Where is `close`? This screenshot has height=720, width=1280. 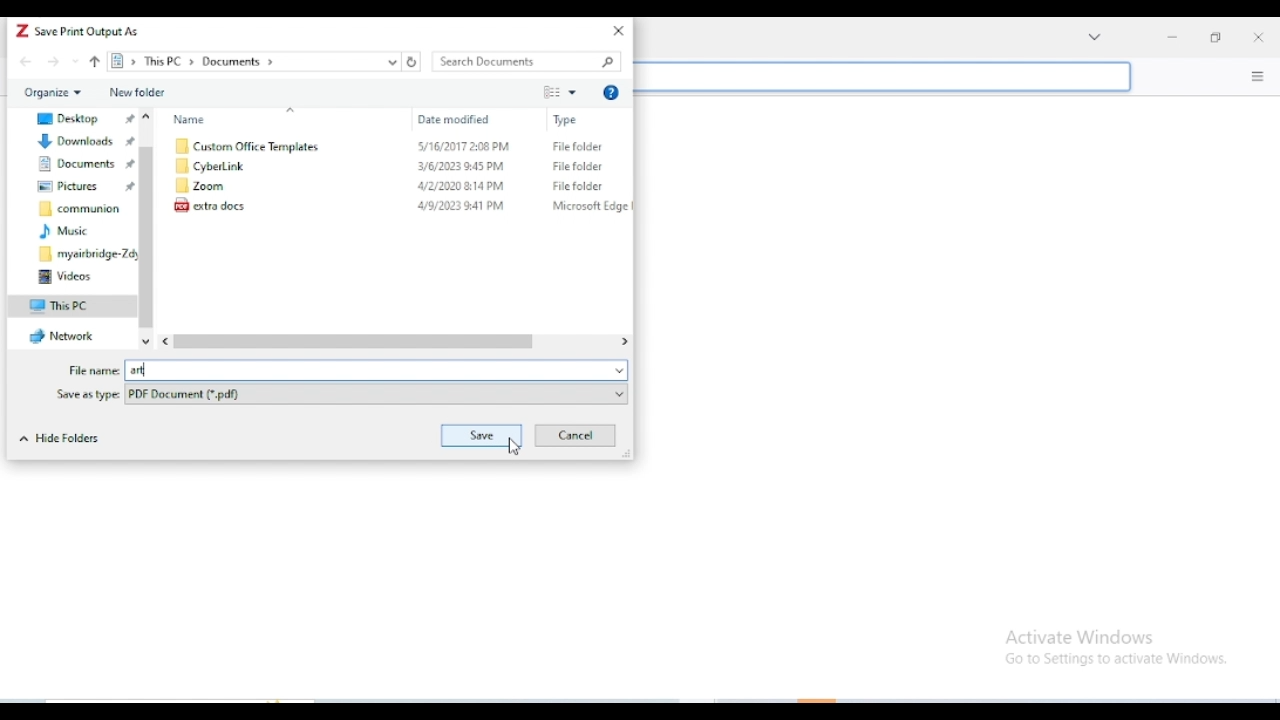 close is located at coordinates (617, 29).